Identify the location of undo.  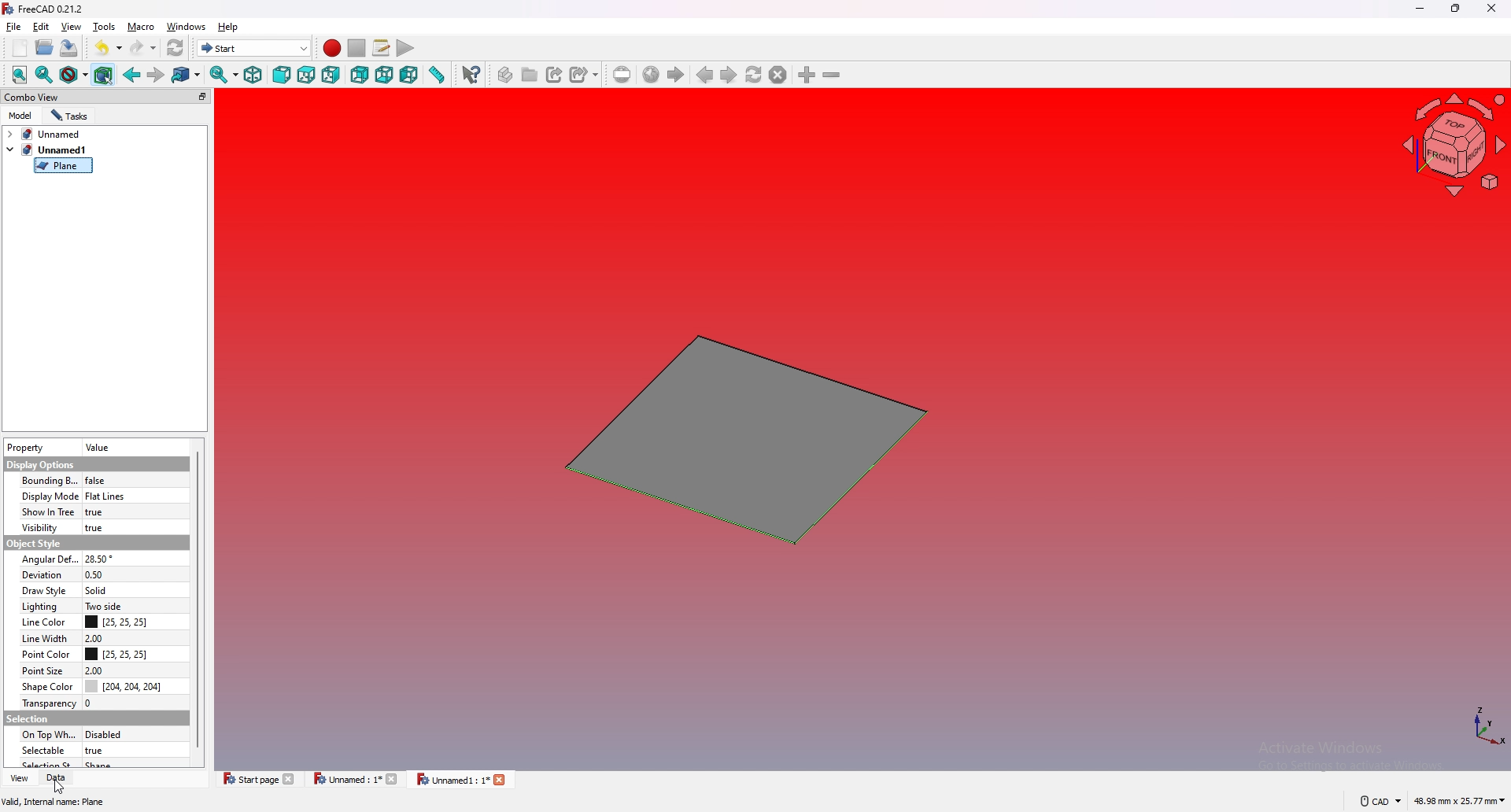
(109, 46).